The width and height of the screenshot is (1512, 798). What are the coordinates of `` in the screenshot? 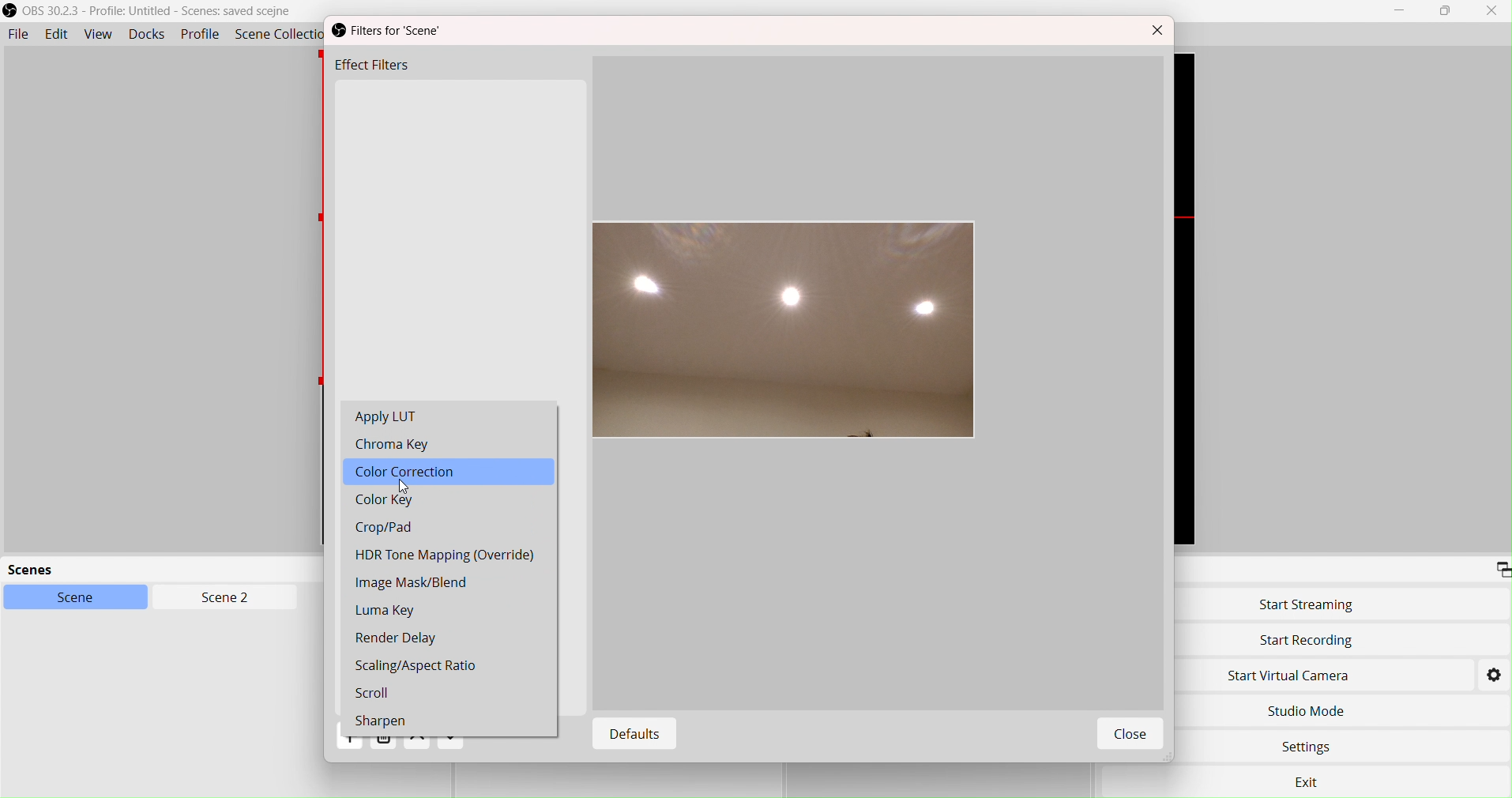 It's located at (180, 11).